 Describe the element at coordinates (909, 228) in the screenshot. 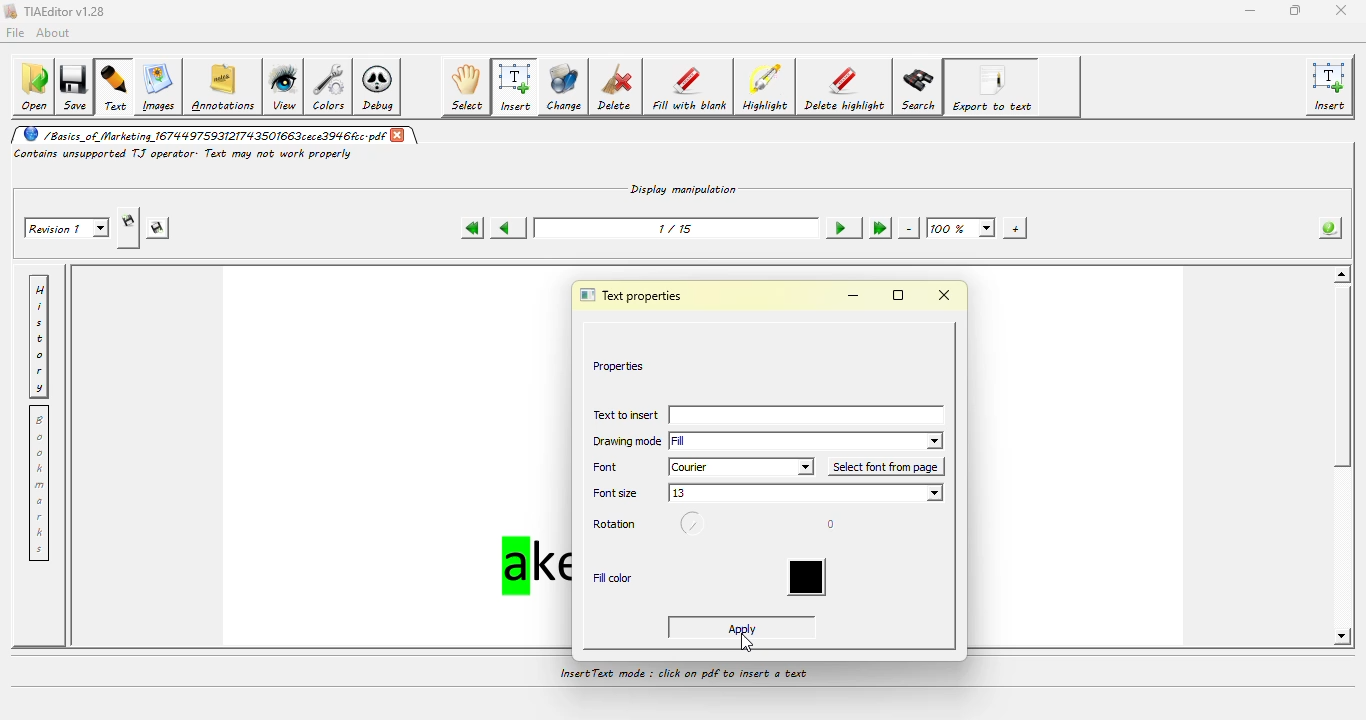

I see `zoom out` at that location.